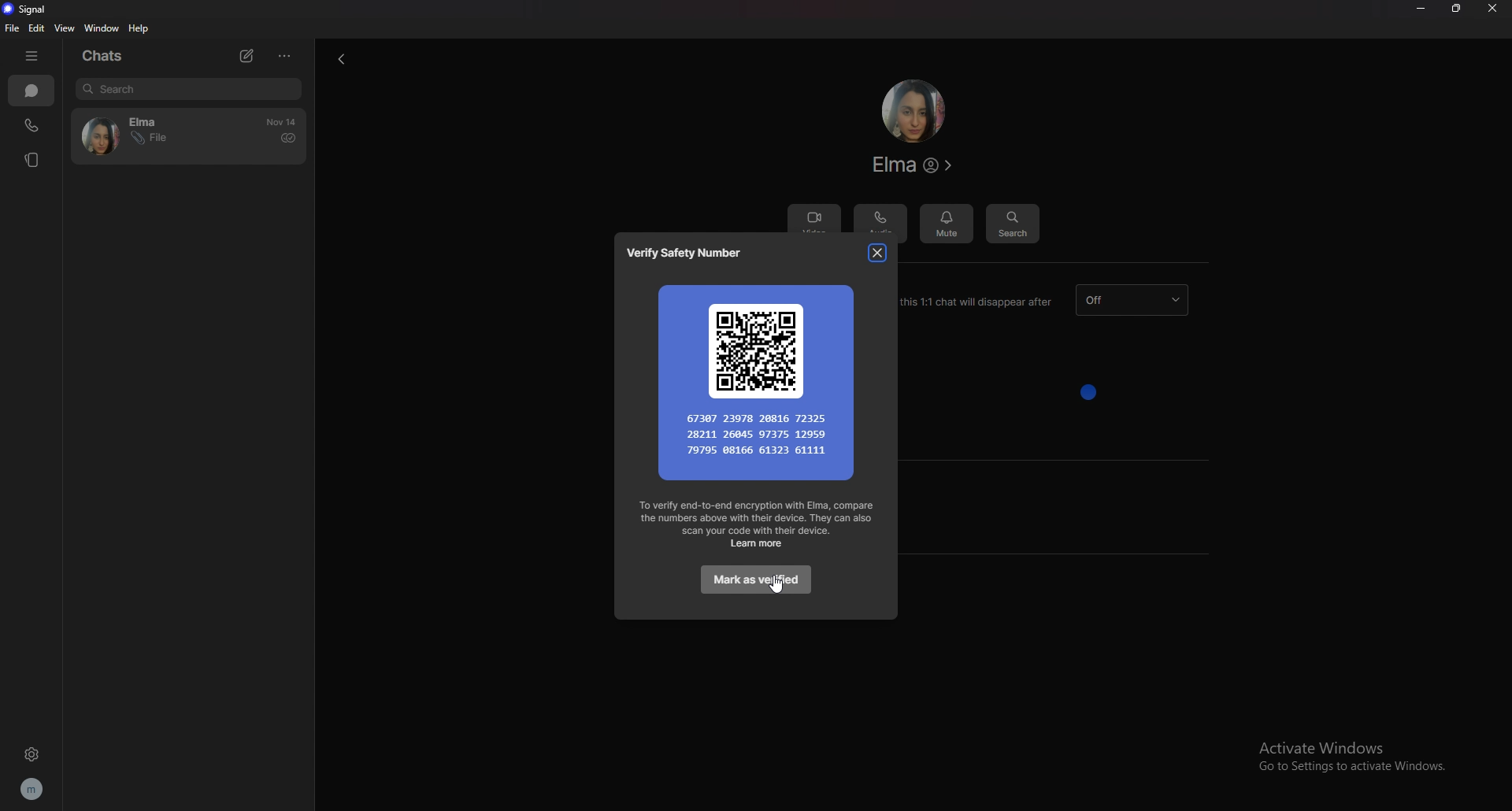  What do you see at coordinates (188, 88) in the screenshot?
I see `search messages` at bounding box center [188, 88].